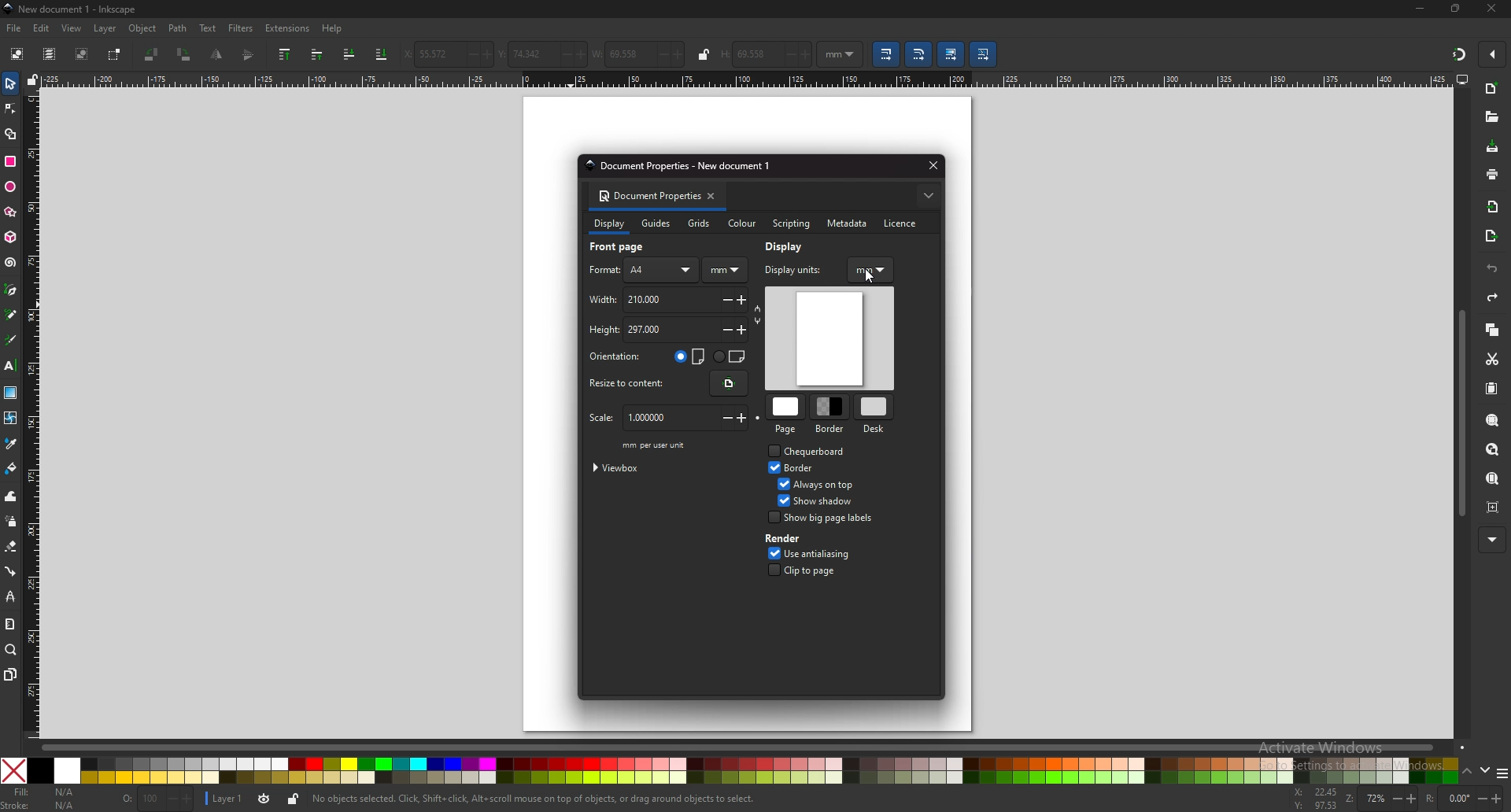  I want to click on AA, so click(663, 270).